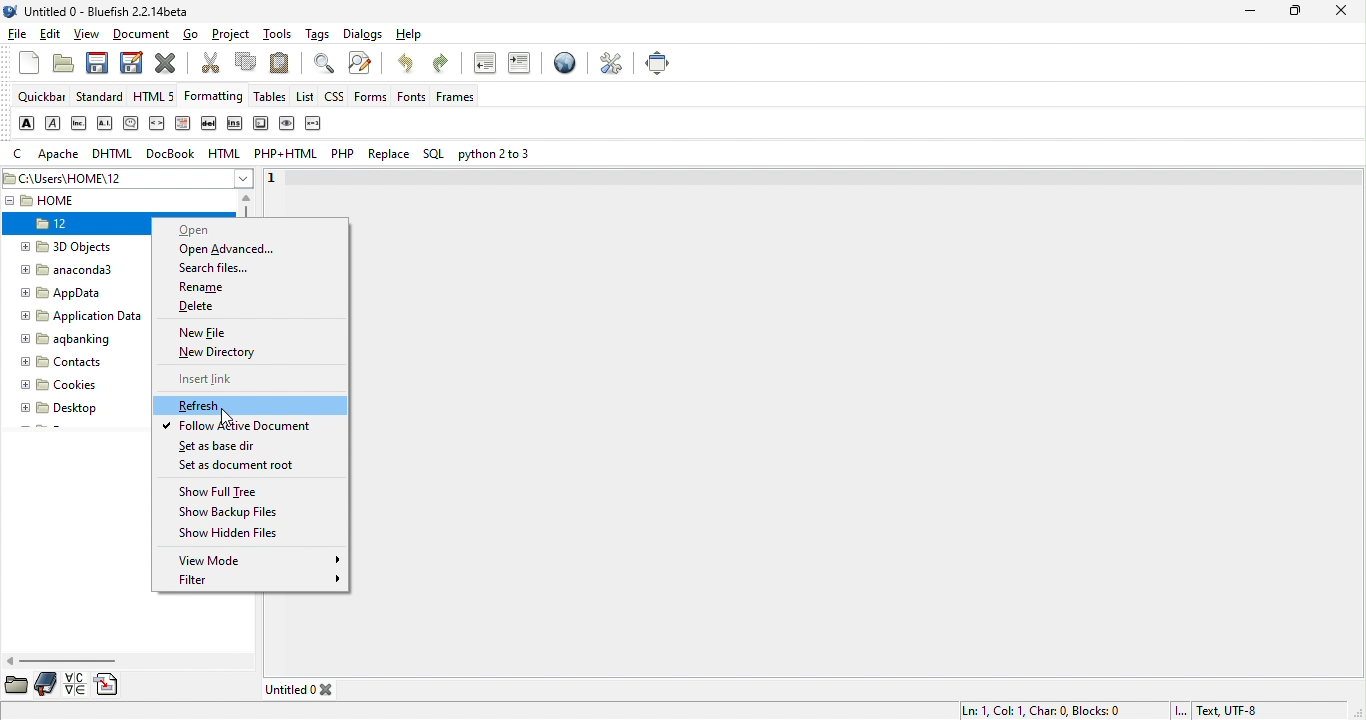 The image size is (1366, 720). What do you see at coordinates (1346, 12) in the screenshot?
I see `close` at bounding box center [1346, 12].